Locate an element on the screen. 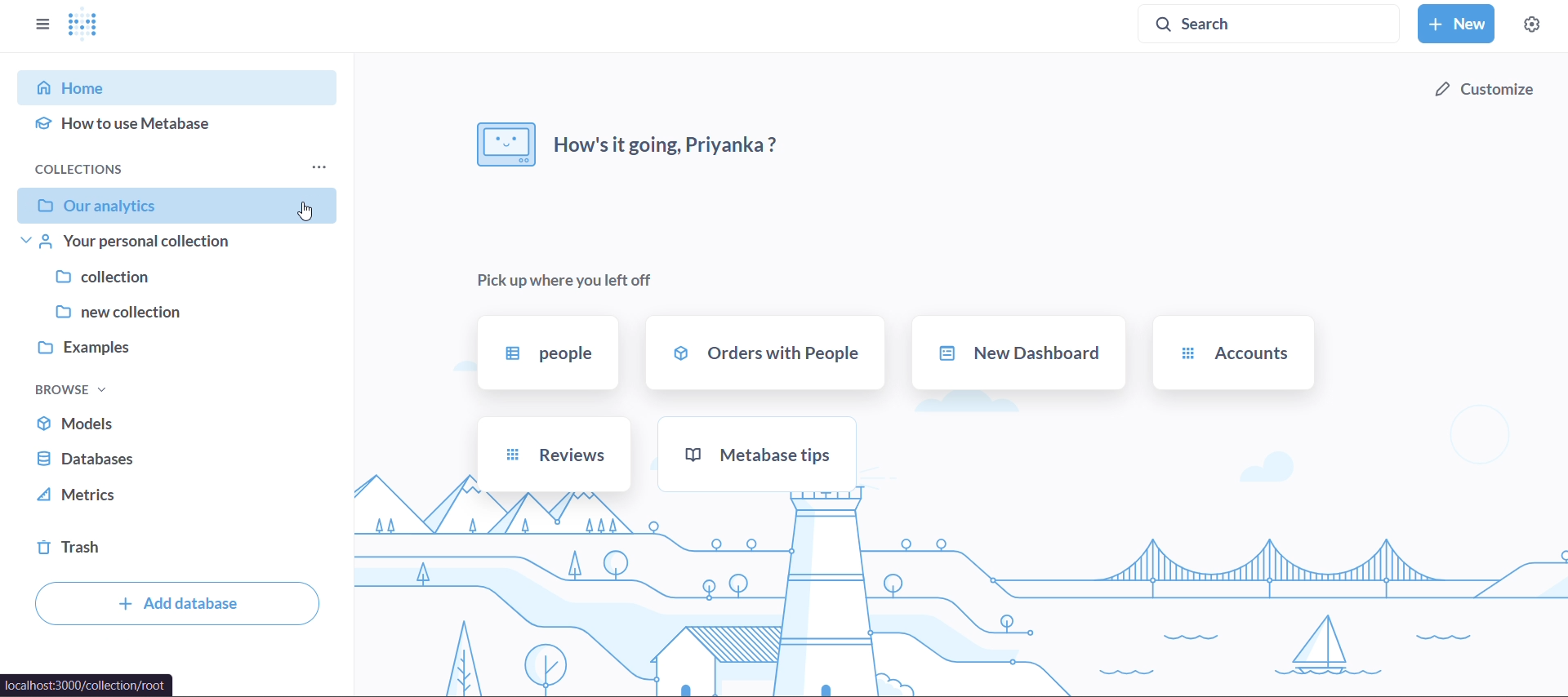 The width and height of the screenshot is (1568, 697). close sidebar is located at coordinates (42, 26).